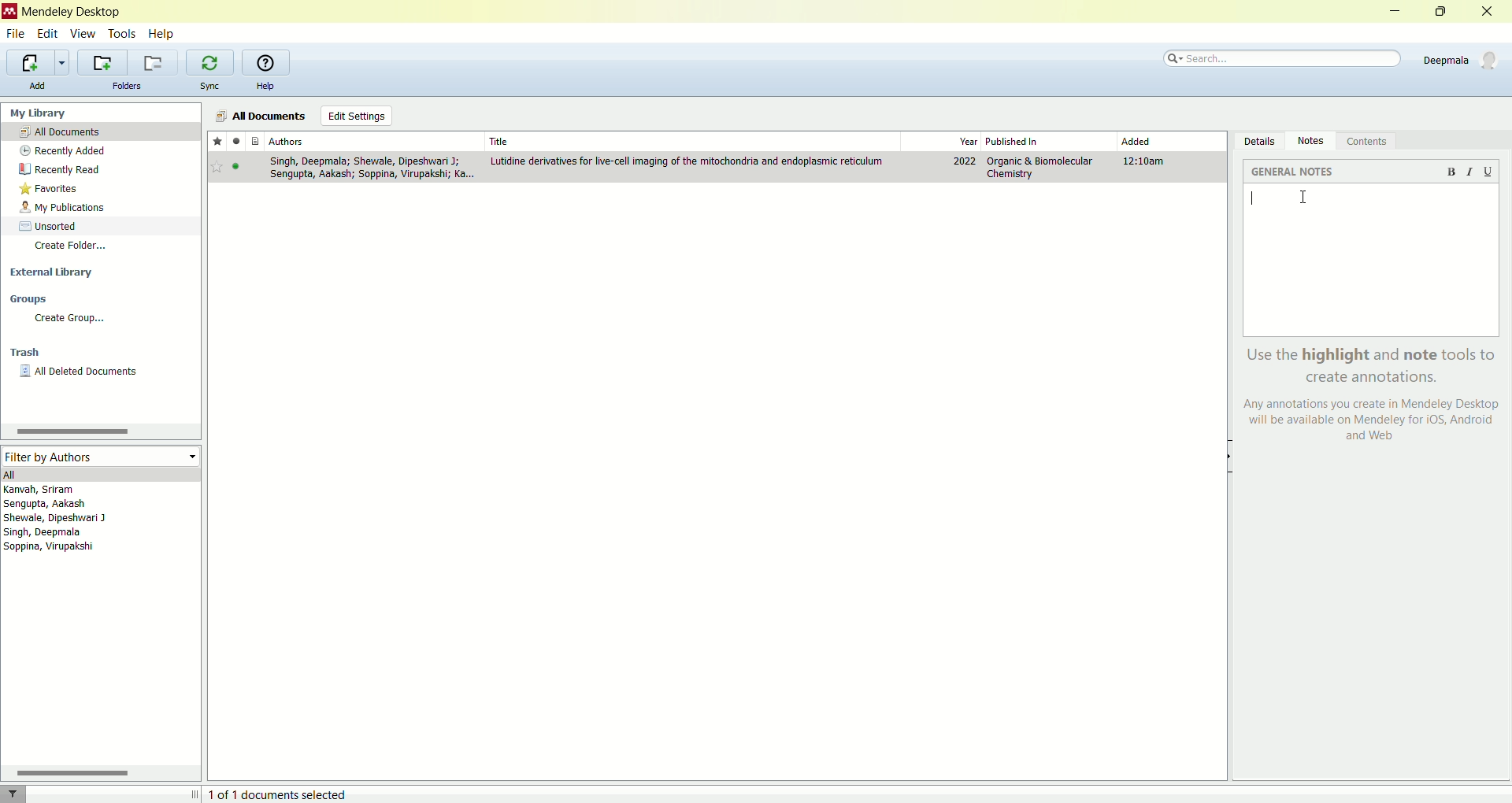 The width and height of the screenshot is (1512, 803). Describe the element at coordinates (265, 86) in the screenshot. I see `help` at that location.